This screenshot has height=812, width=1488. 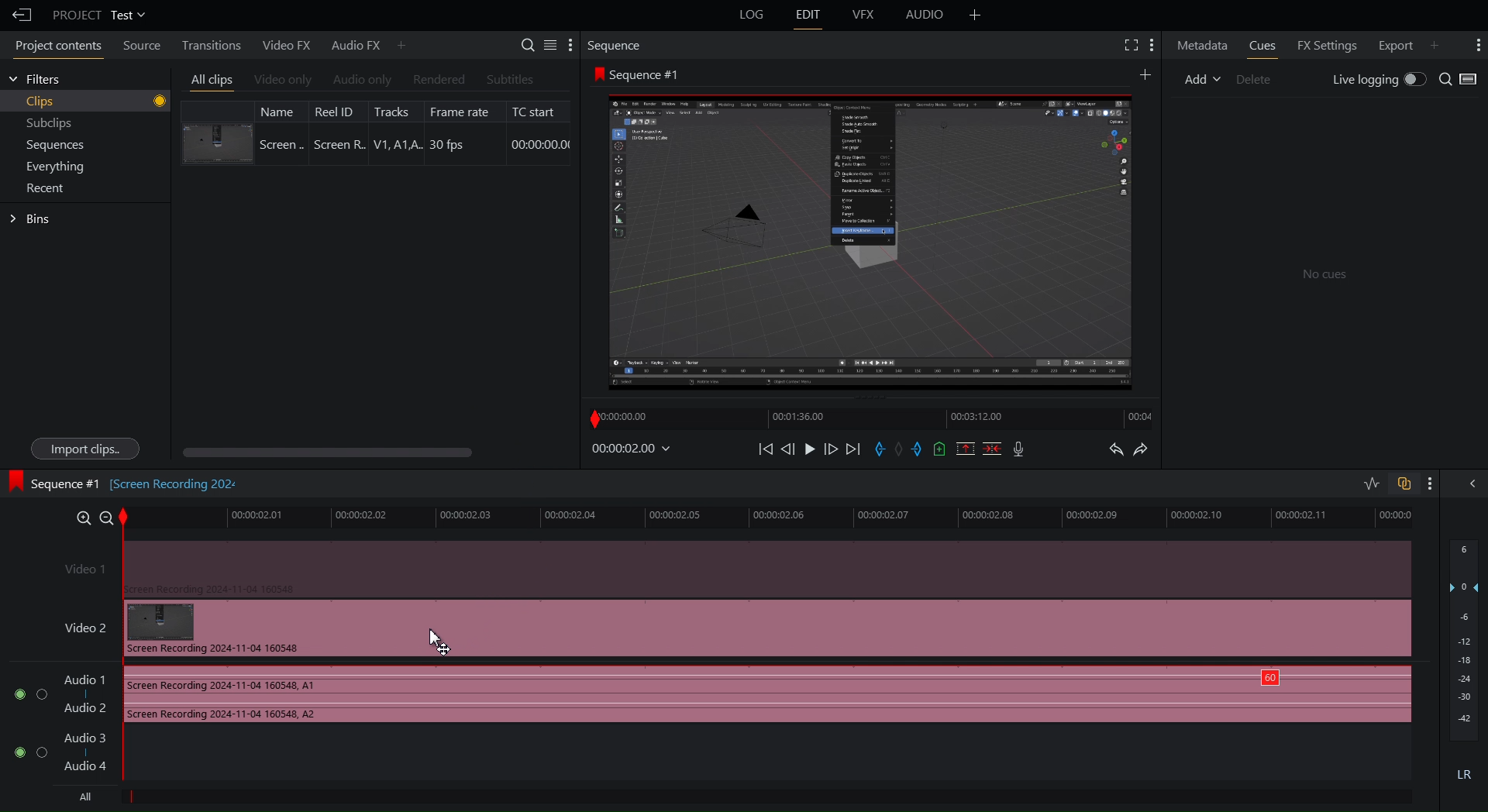 What do you see at coordinates (56, 146) in the screenshot?
I see `Sequences` at bounding box center [56, 146].